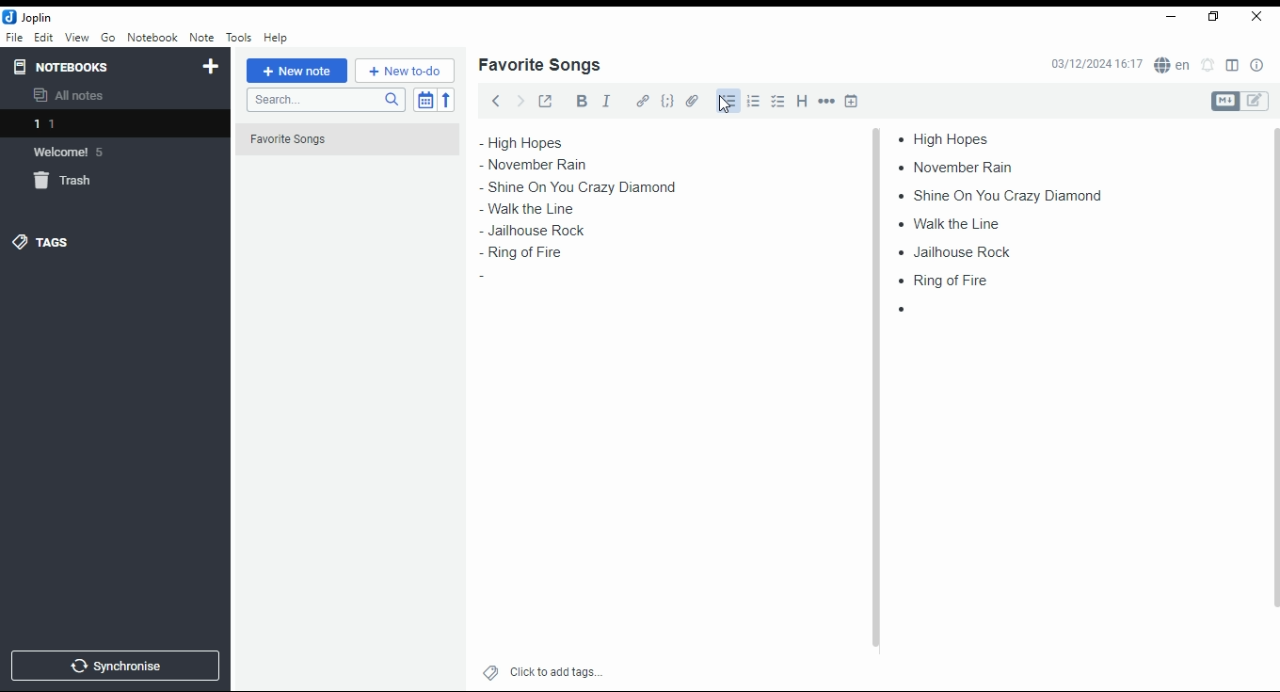  I want to click on mouse pointer, so click(725, 104).